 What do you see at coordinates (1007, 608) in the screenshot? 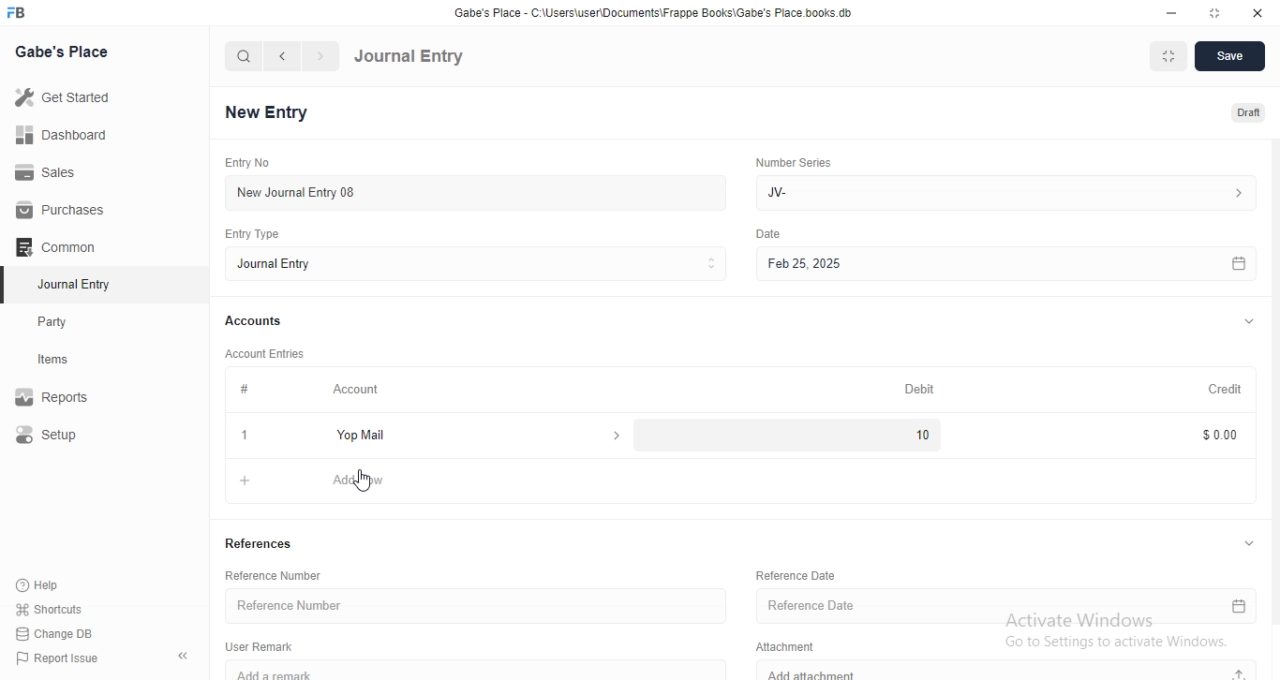
I see `Reference Date` at bounding box center [1007, 608].